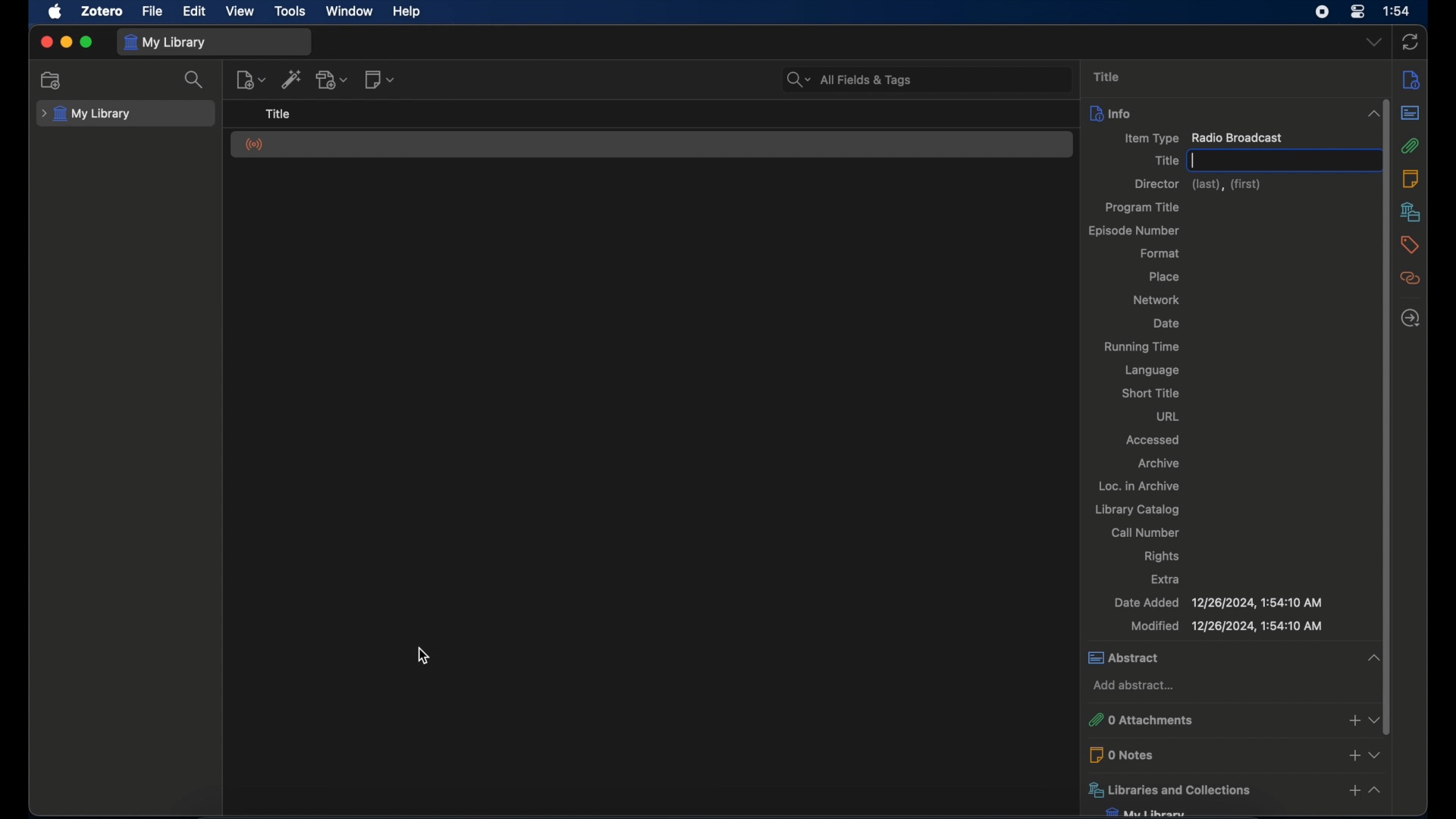 Image resolution: width=1456 pixels, height=819 pixels. Describe the element at coordinates (1150, 394) in the screenshot. I see `short title` at that location.